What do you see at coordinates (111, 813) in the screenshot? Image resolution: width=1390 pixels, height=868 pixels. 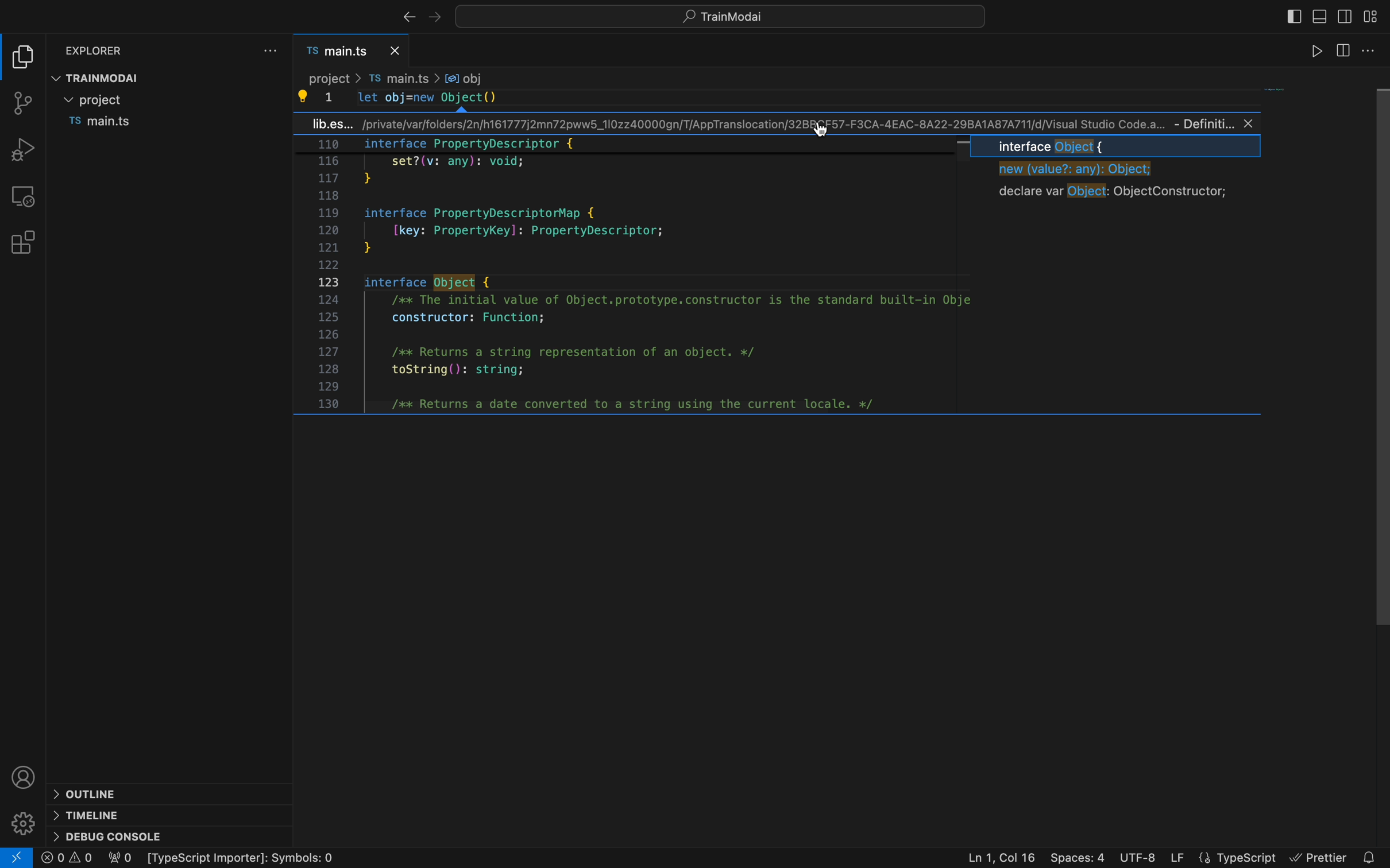 I see `timeline` at bounding box center [111, 813].